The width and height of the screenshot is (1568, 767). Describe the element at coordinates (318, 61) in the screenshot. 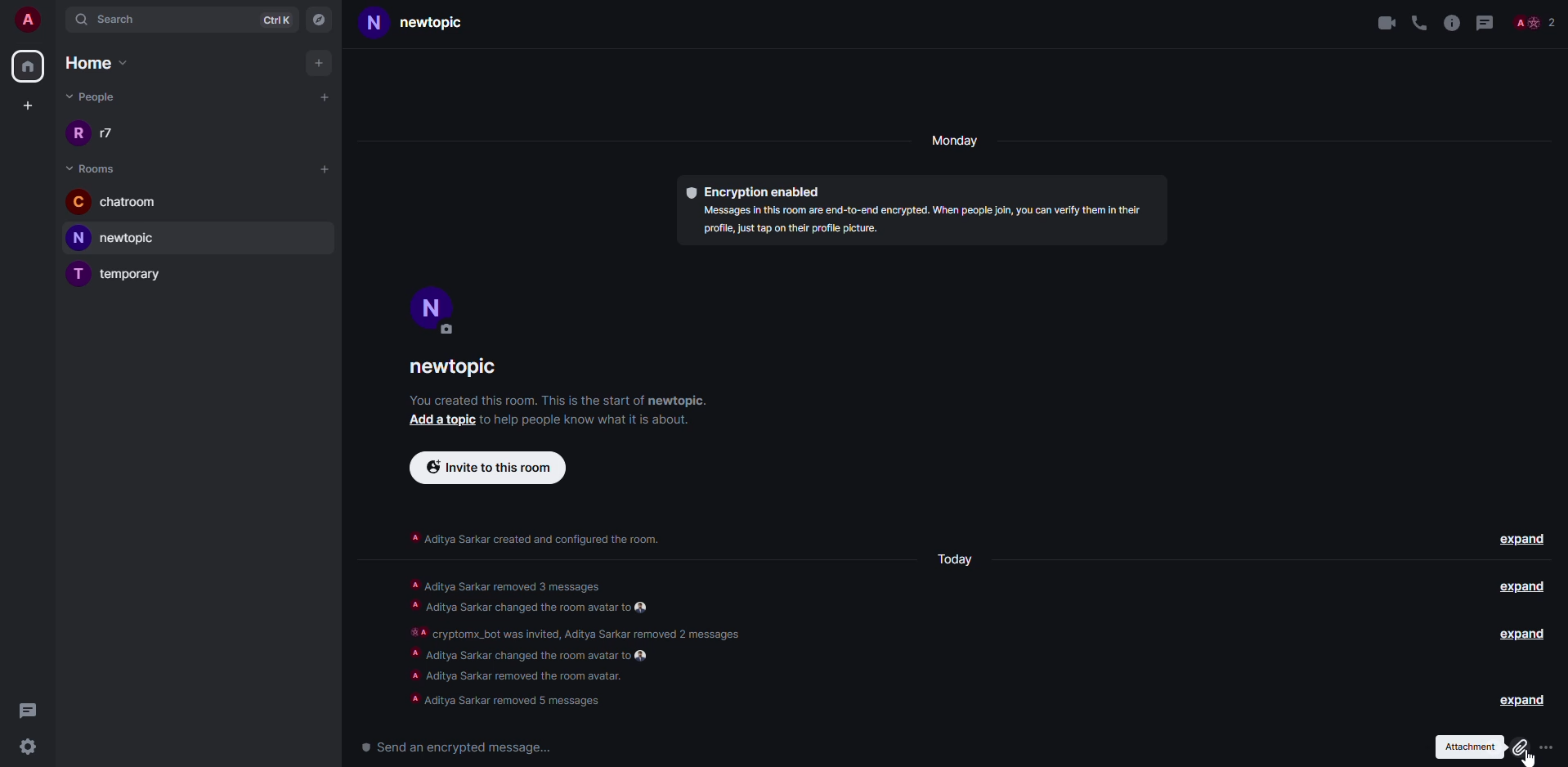

I see `add` at that location.